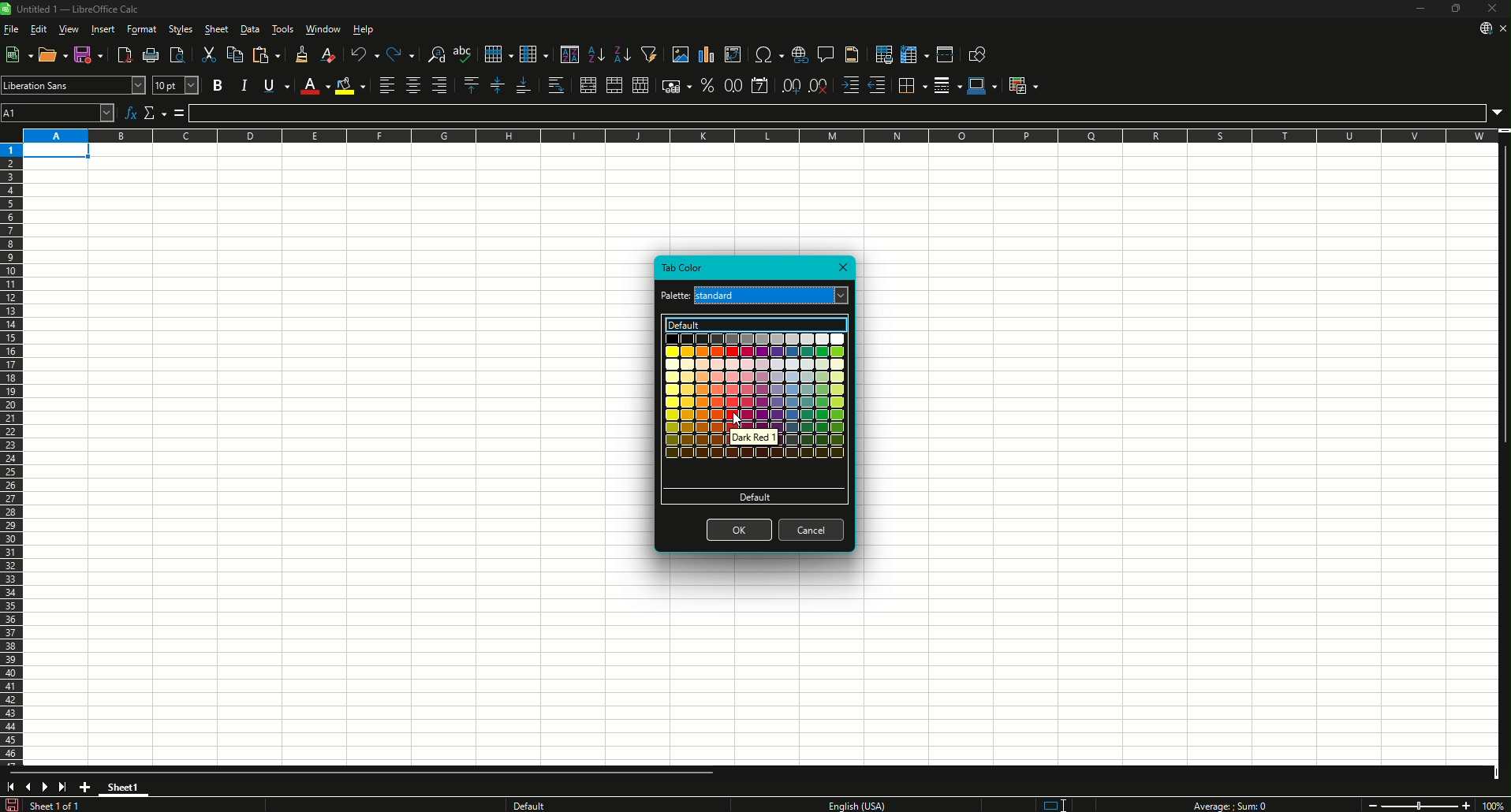  Describe the element at coordinates (737, 419) in the screenshot. I see `Cursor` at that location.